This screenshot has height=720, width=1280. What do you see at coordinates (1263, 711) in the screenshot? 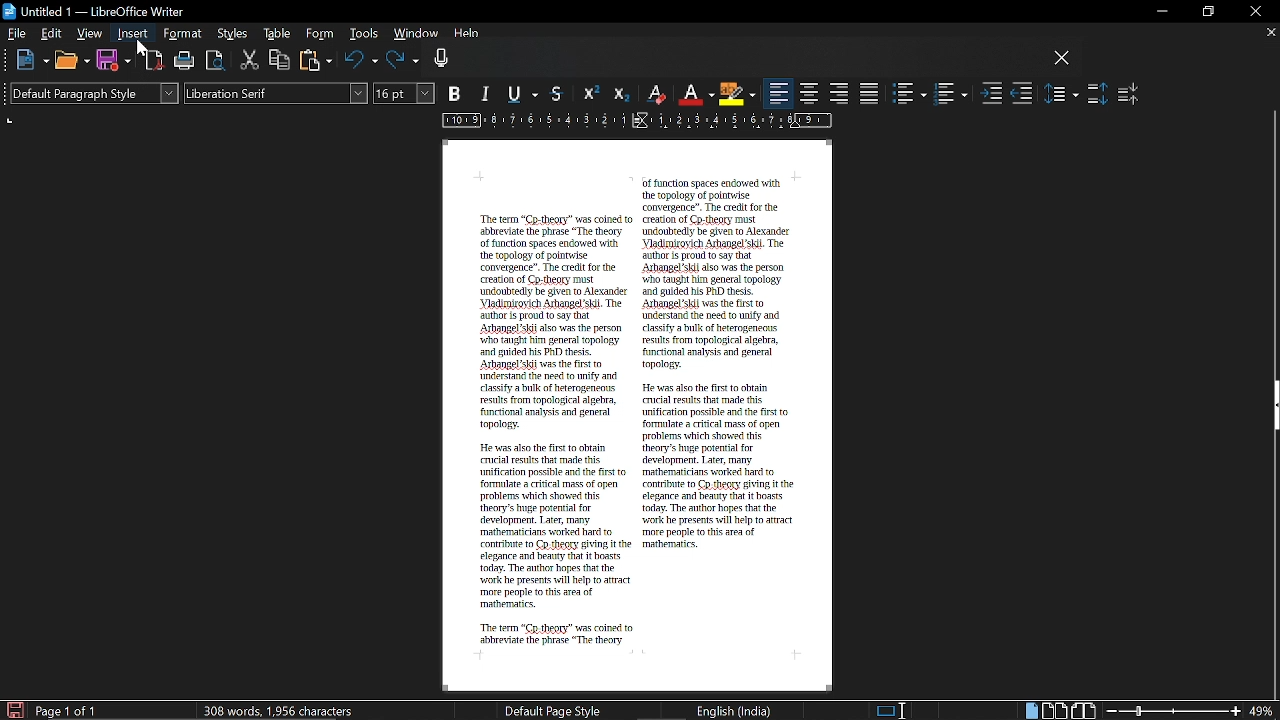
I see `Current zoom` at bounding box center [1263, 711].